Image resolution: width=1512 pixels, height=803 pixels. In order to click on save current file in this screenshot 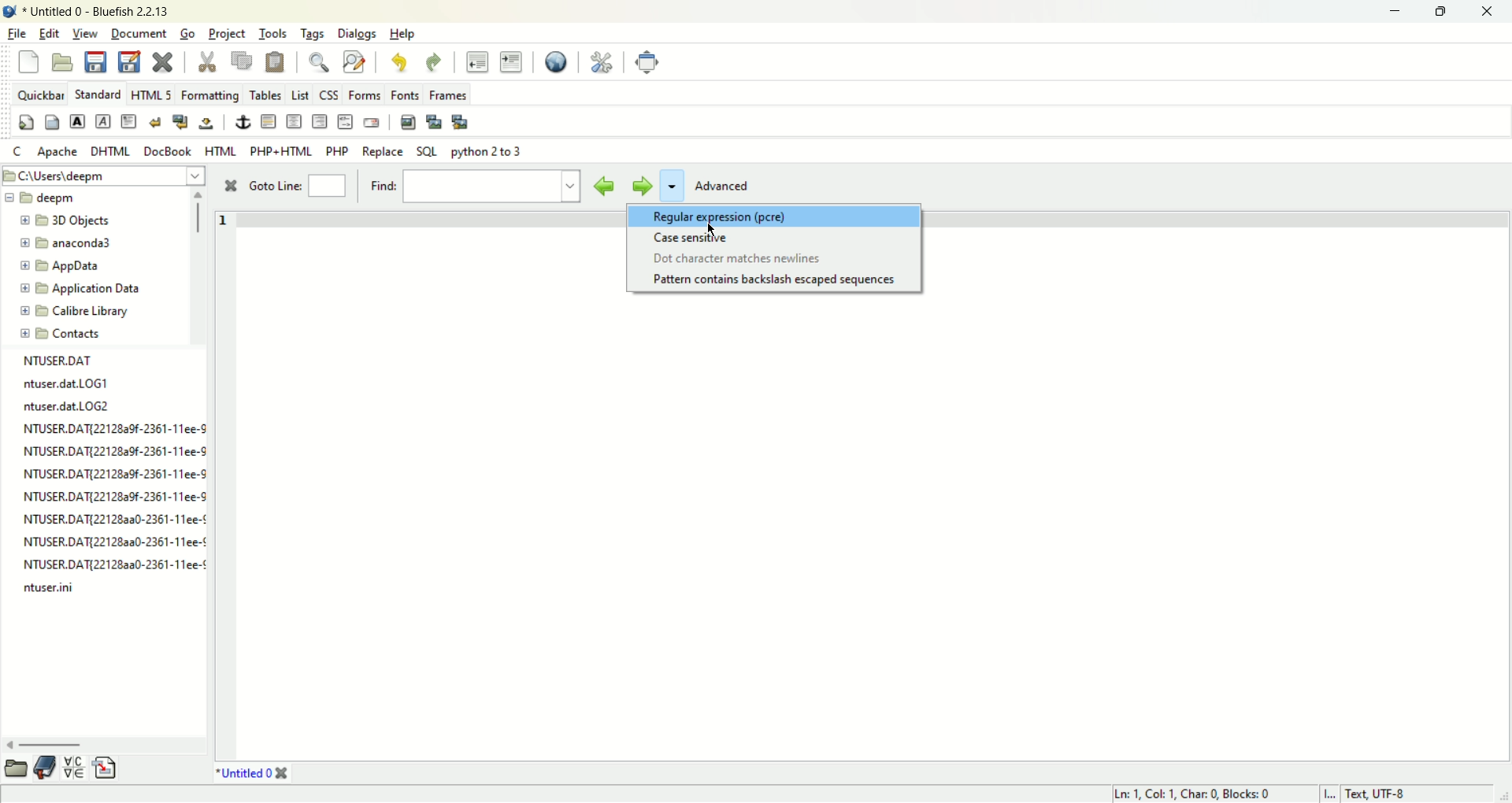, I will do `click(96, 61)`.